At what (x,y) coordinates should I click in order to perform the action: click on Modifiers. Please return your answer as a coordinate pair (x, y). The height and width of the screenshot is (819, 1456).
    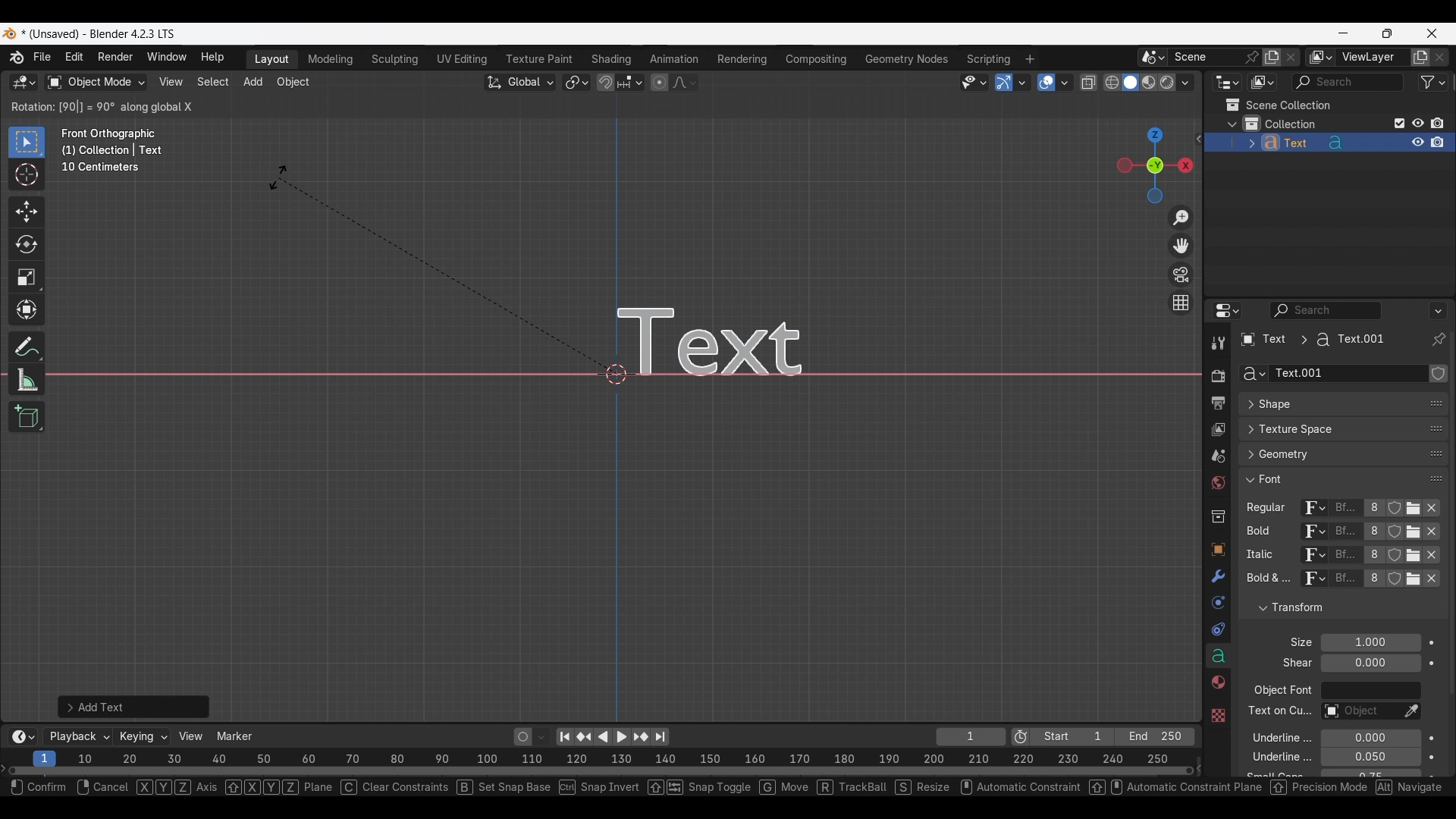
    Looking at the image, I should click on (1216, 577).